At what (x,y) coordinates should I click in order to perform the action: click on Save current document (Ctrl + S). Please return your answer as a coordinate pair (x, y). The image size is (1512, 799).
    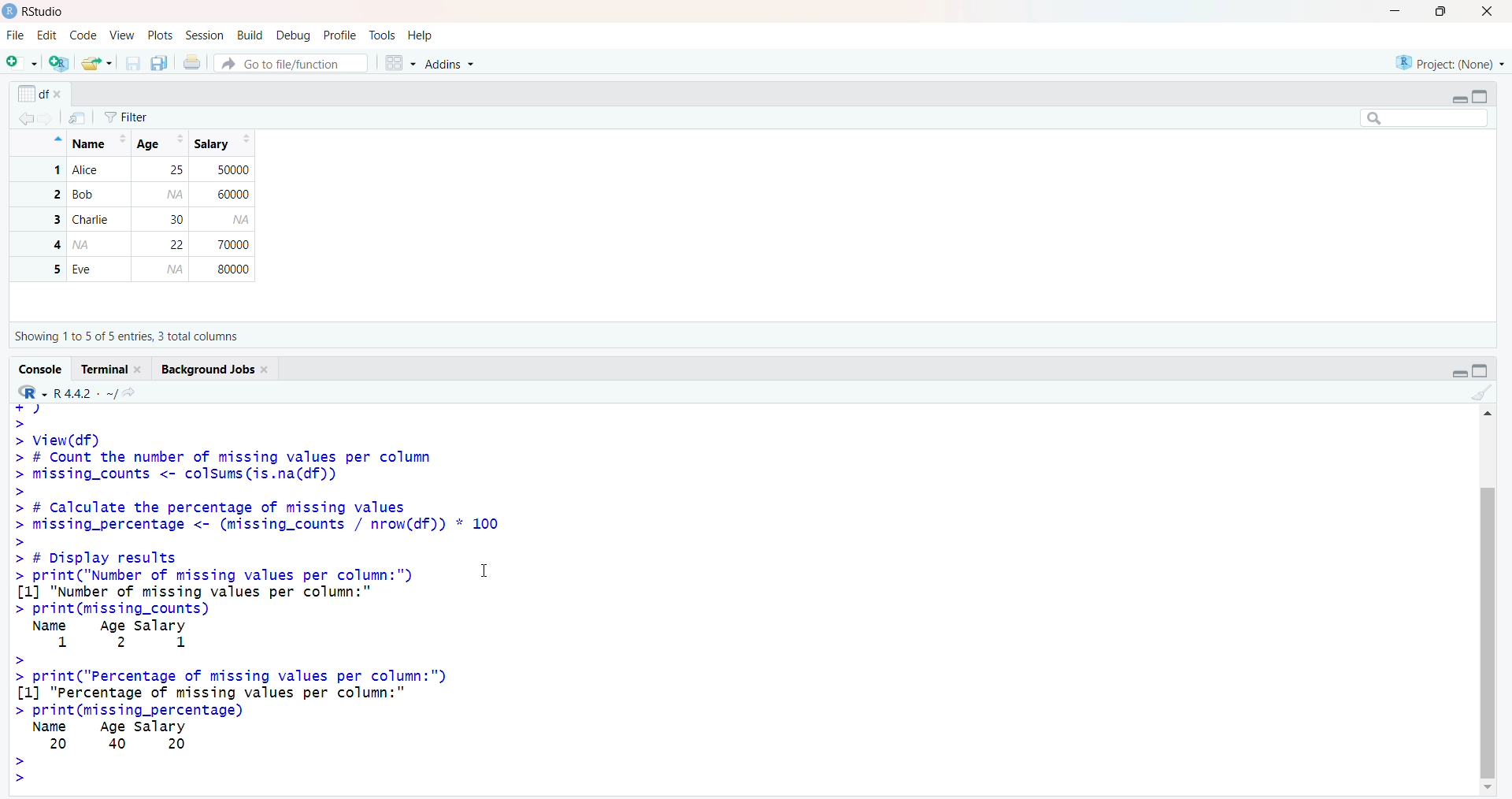
    Looking at the image, I should click on (132, 64).